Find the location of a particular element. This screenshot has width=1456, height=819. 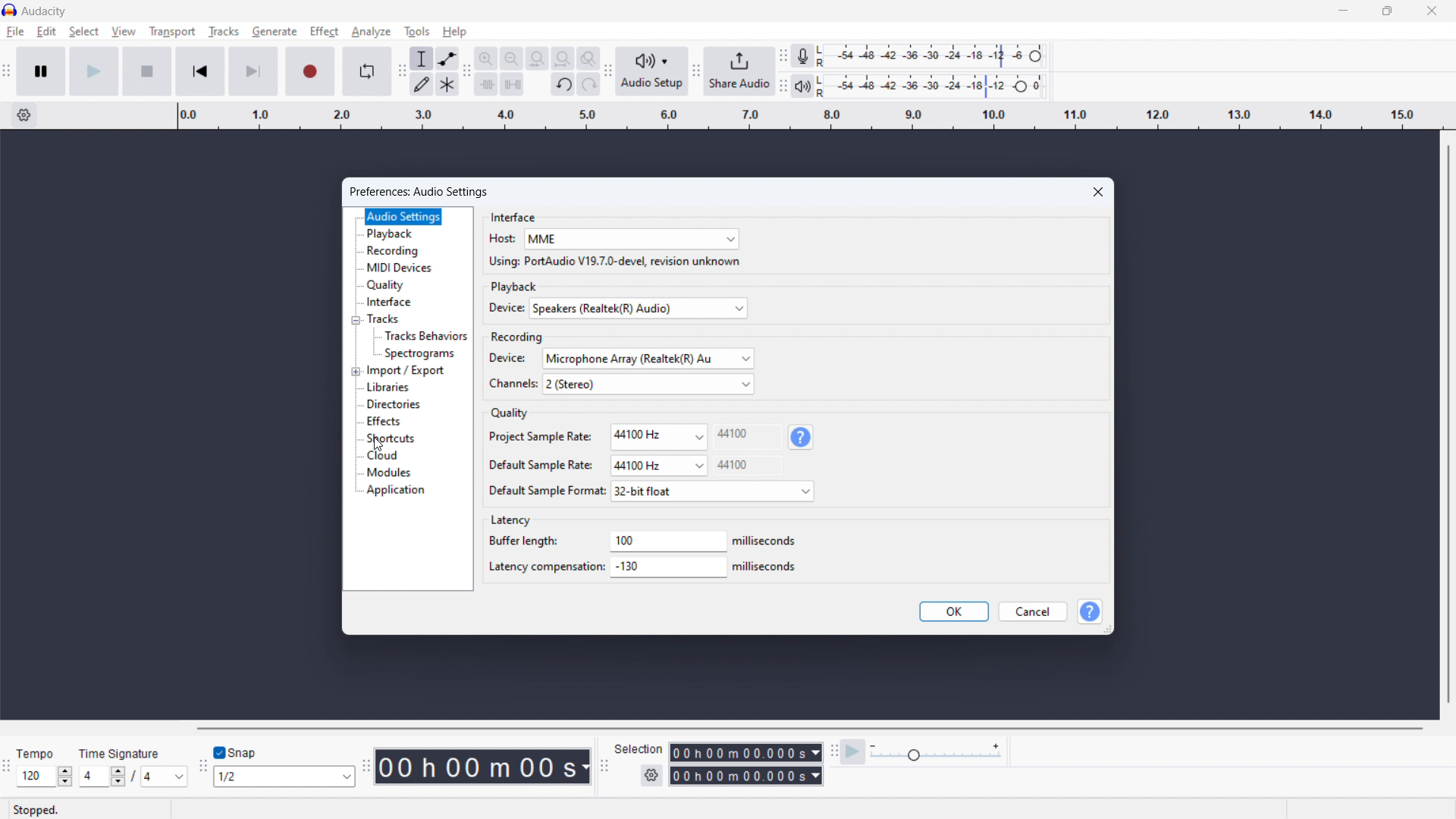

start time duration is located at coordinates (736, 752).